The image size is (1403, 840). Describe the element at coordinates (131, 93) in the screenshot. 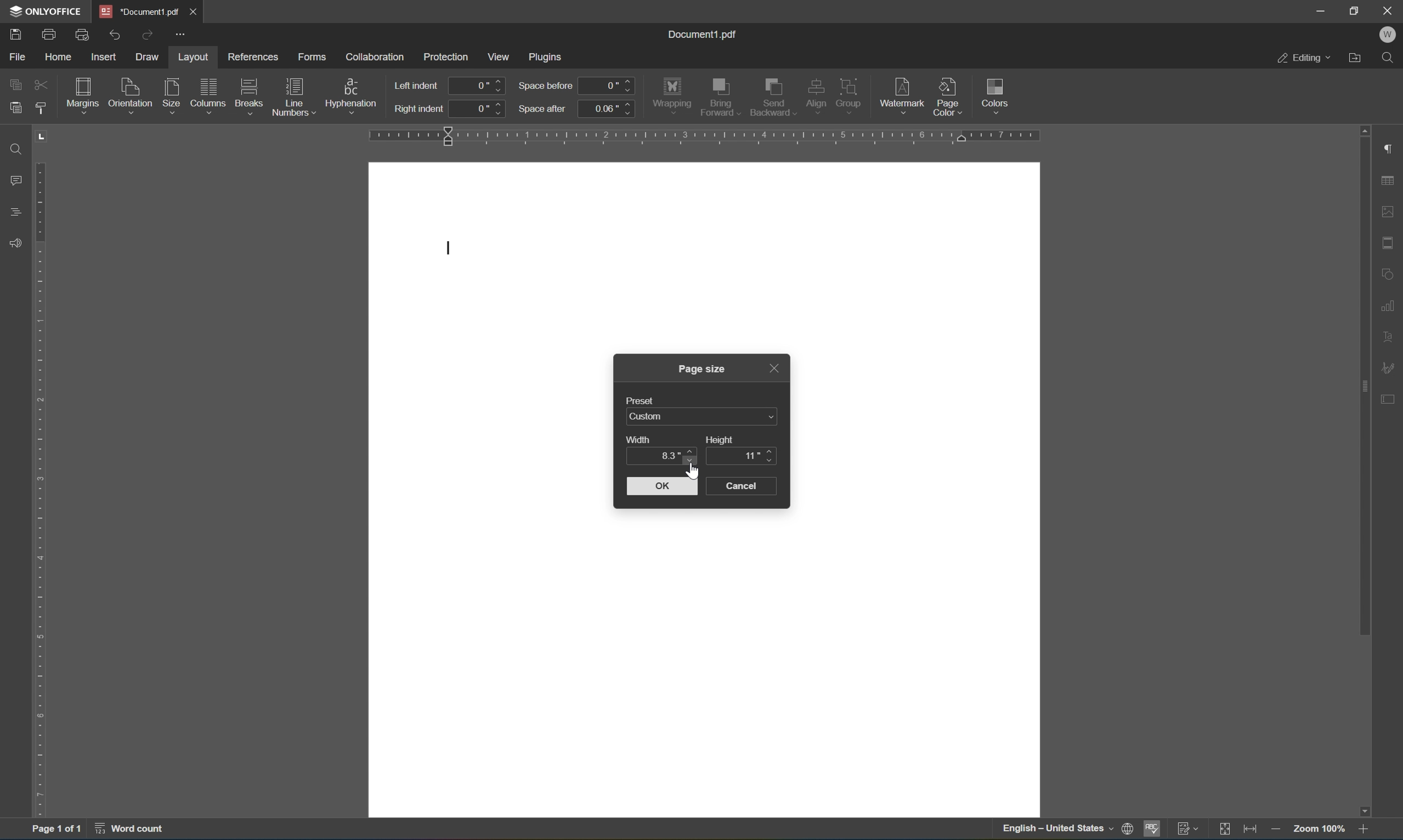

I see `orientation` at that location.